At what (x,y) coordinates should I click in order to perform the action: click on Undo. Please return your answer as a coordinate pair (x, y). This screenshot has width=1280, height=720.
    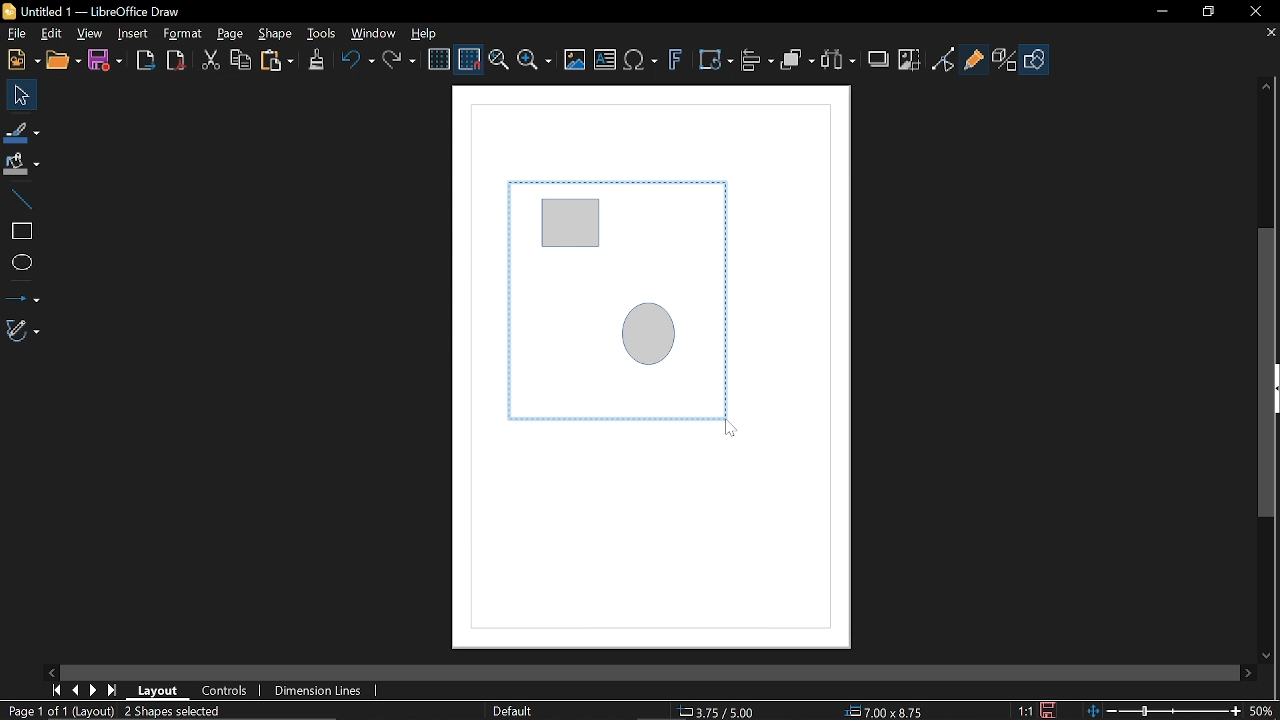
    Looking at the image, I should click on (358, 61).